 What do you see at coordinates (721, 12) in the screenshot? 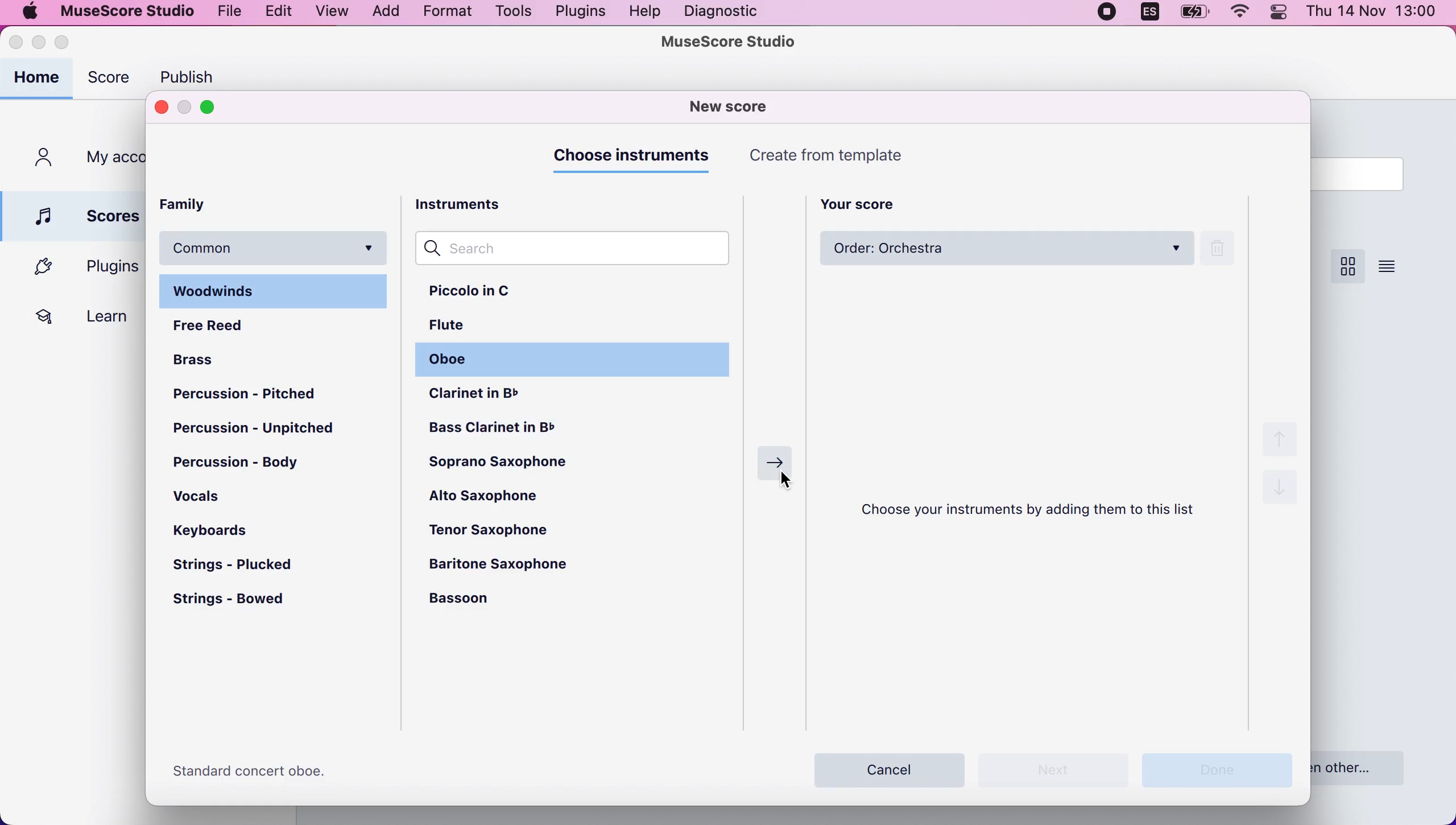
I see `diagnostic` at bounding box center [721, 12].